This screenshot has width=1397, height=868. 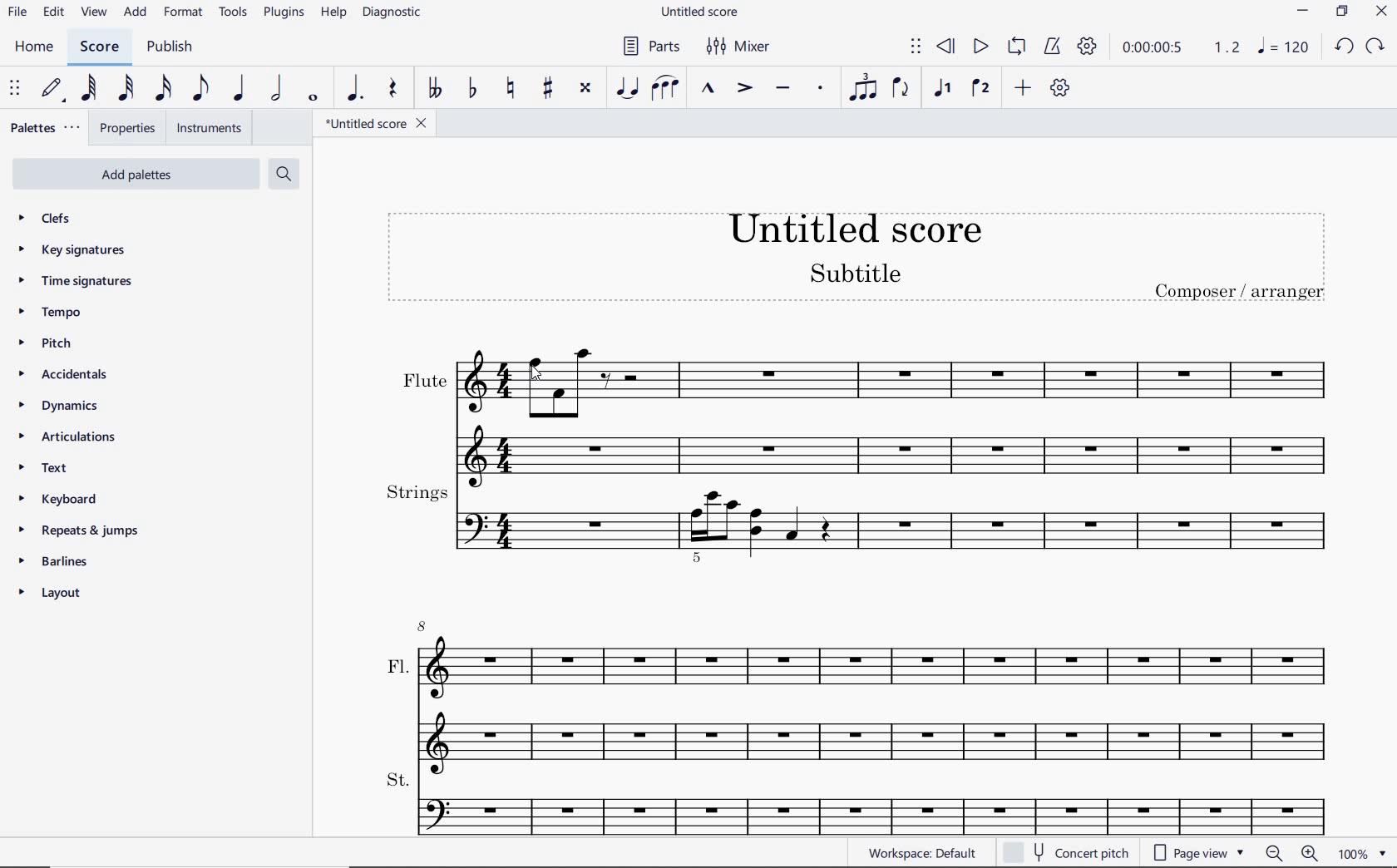 What do you see at coordinates (37, 48) in the screenshot?
I see `home` at bounding box center [37, 48].